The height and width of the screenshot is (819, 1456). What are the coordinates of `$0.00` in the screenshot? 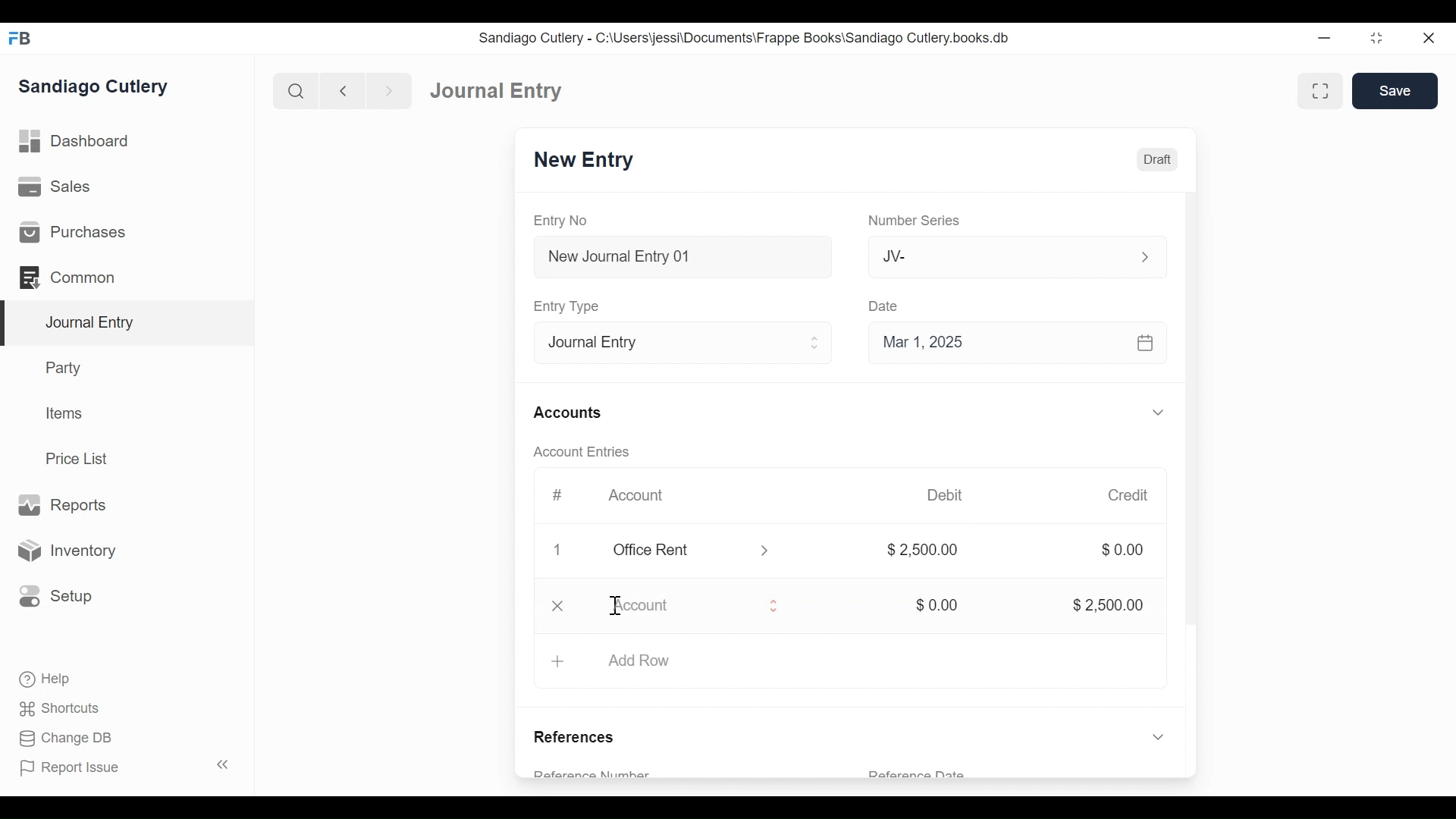 It's located at (932, 605).